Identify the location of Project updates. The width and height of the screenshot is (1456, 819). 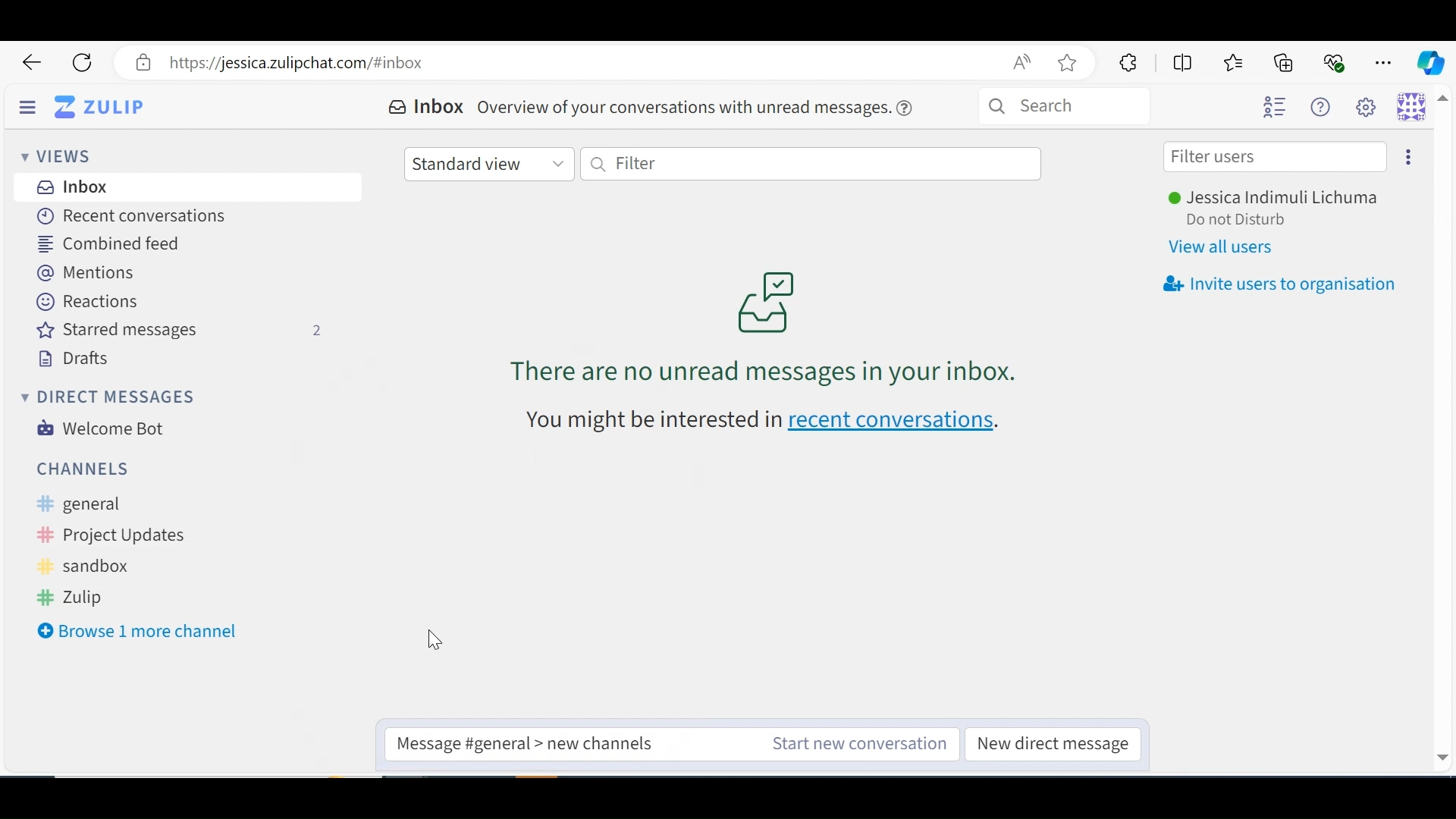
(157, 534).